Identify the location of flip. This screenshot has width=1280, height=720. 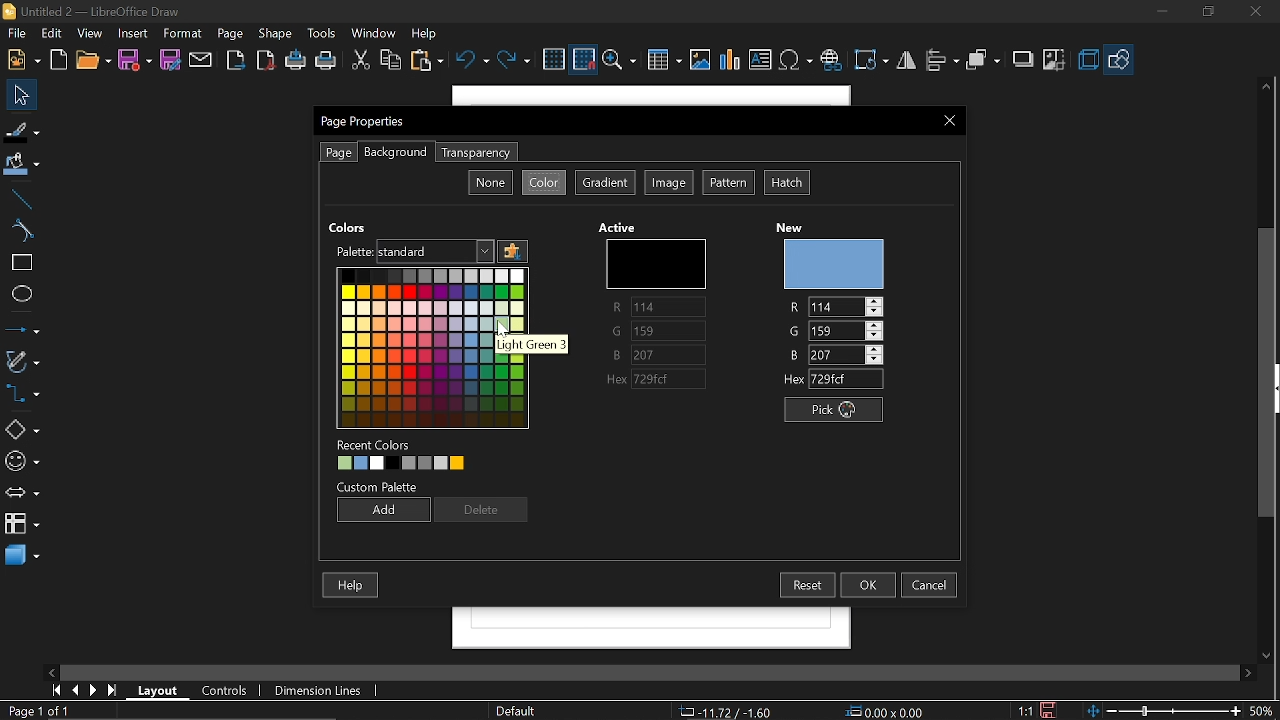
(906, 61).